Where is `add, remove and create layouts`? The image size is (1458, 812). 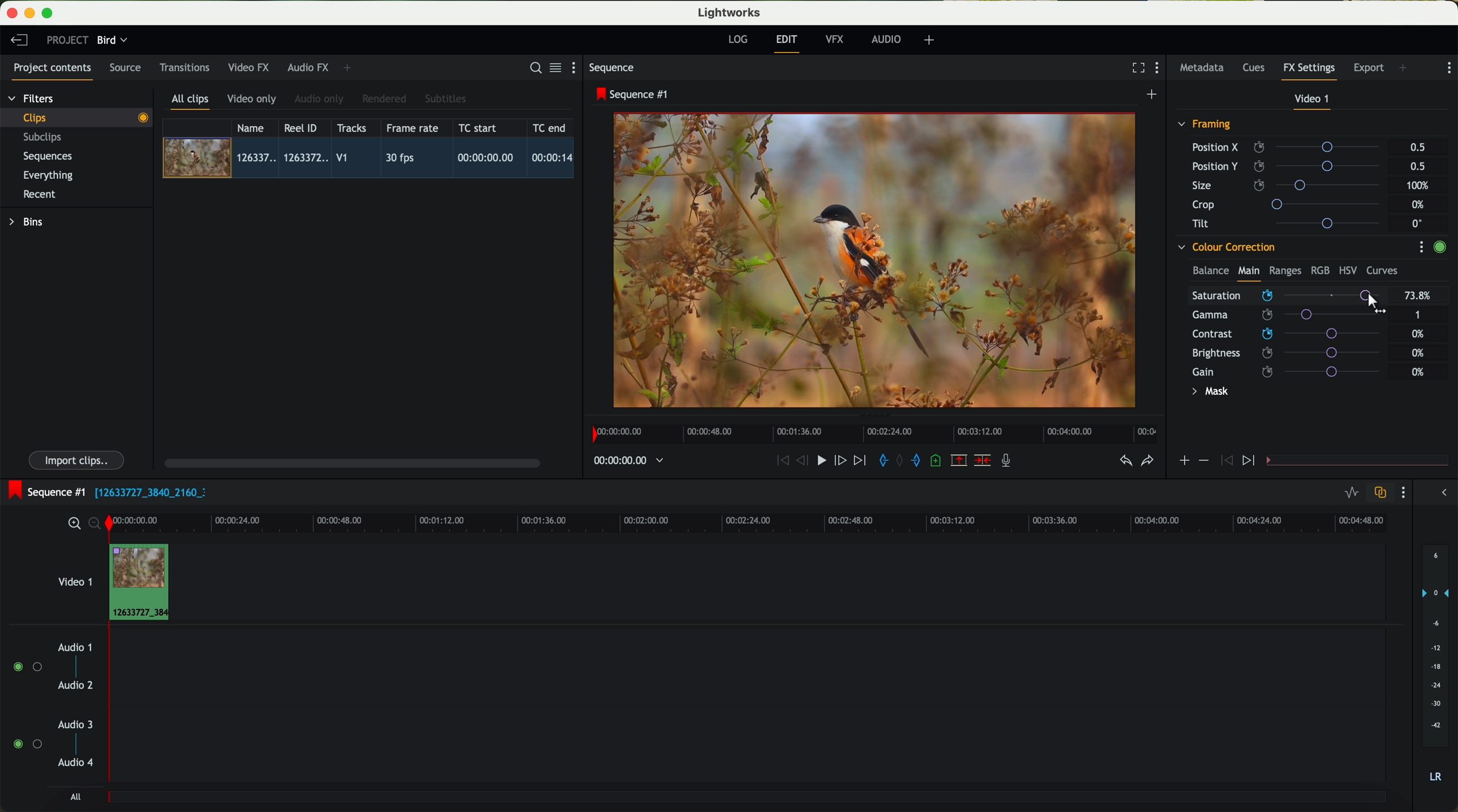
add, remove and create layouts is located at coordinates (931, 40).